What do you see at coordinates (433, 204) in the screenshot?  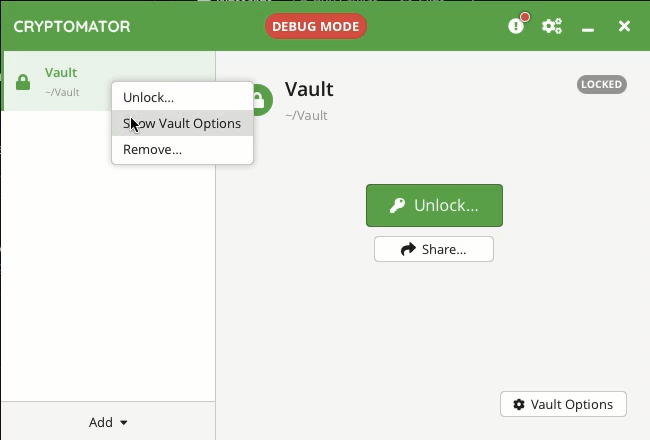 I see `# Unlock...` at bounding box center [433, 204].